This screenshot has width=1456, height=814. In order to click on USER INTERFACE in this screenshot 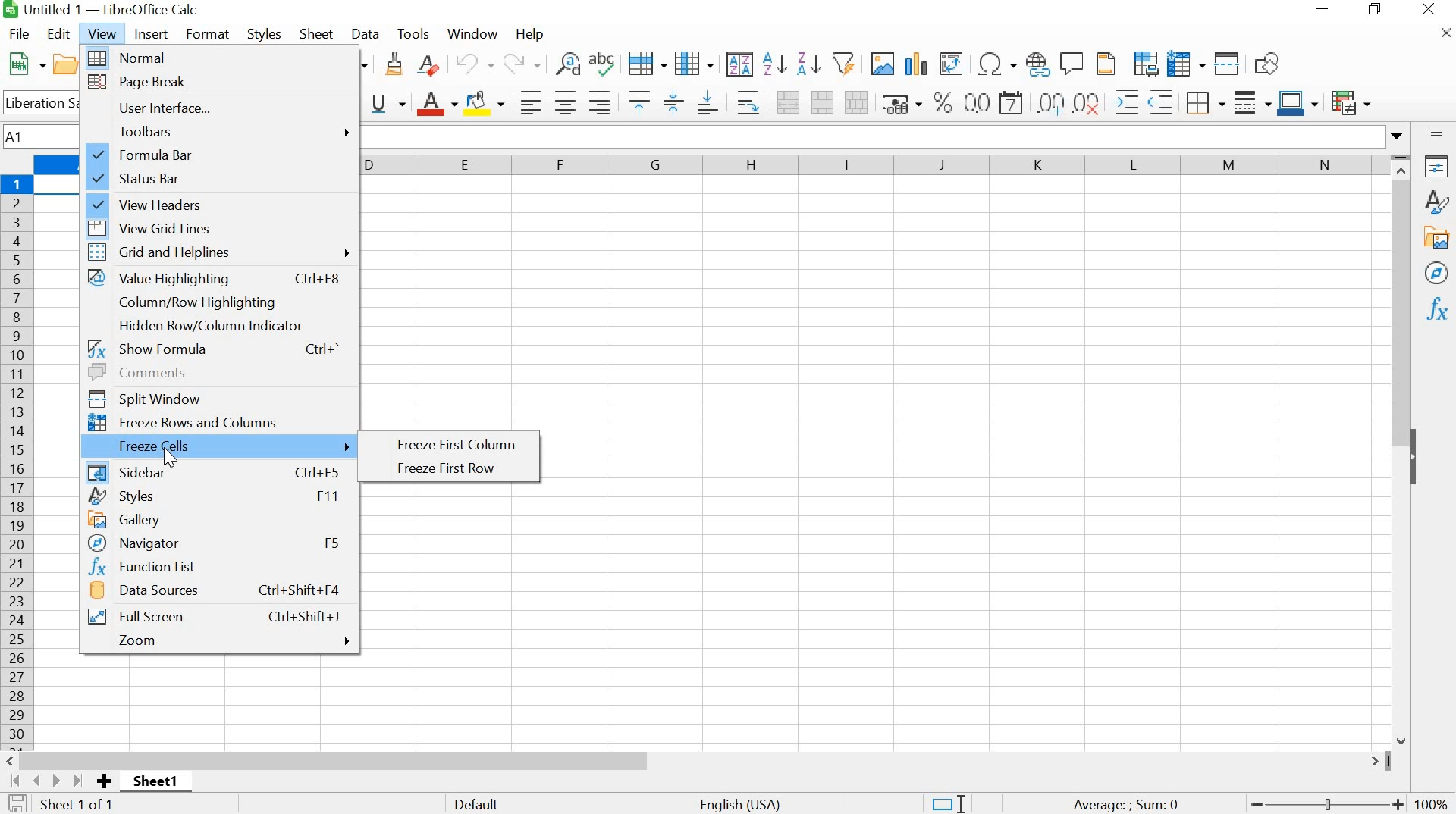, I will do `click(220, 108)`.